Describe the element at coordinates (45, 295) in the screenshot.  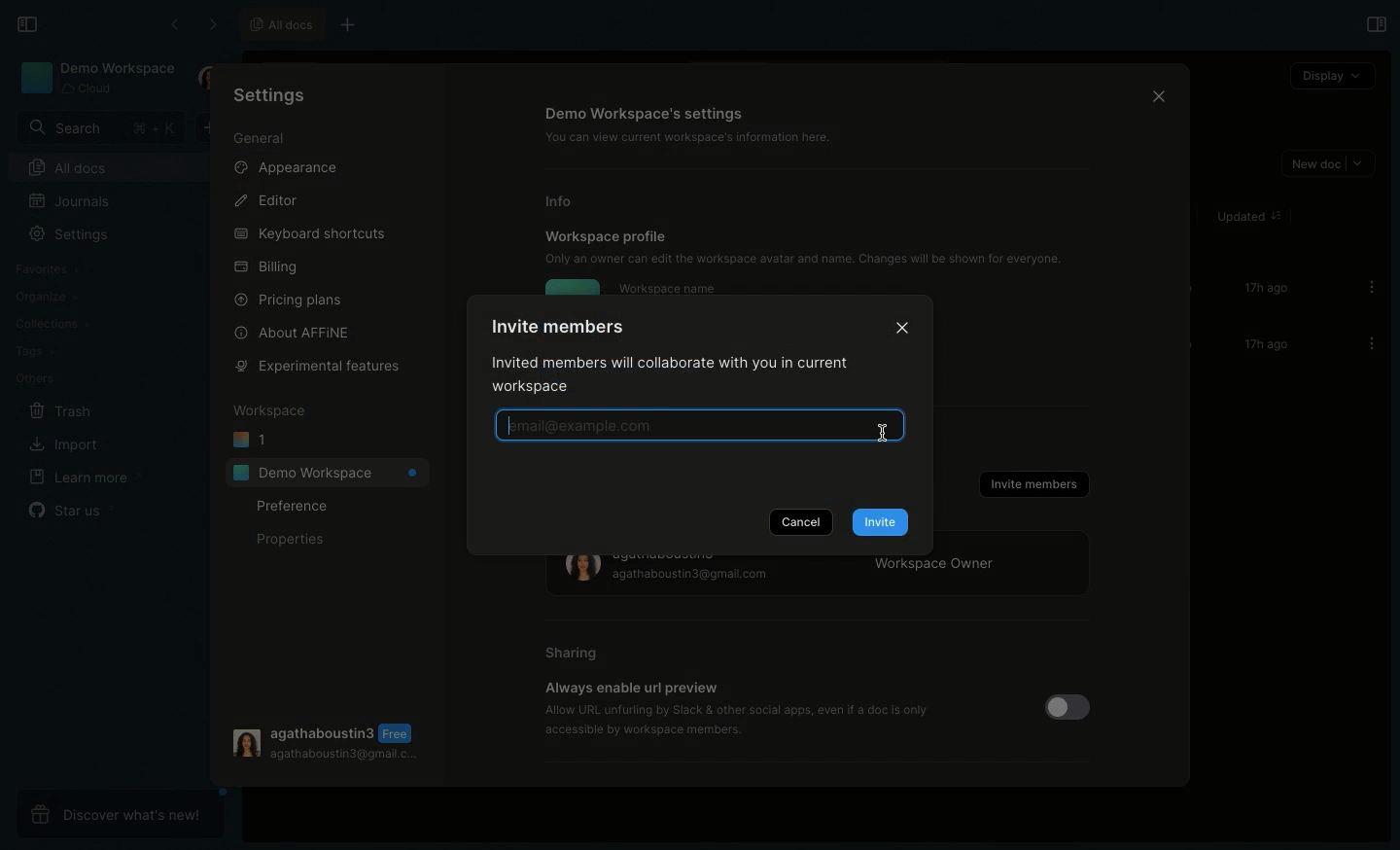
I see `Organize` at that location.